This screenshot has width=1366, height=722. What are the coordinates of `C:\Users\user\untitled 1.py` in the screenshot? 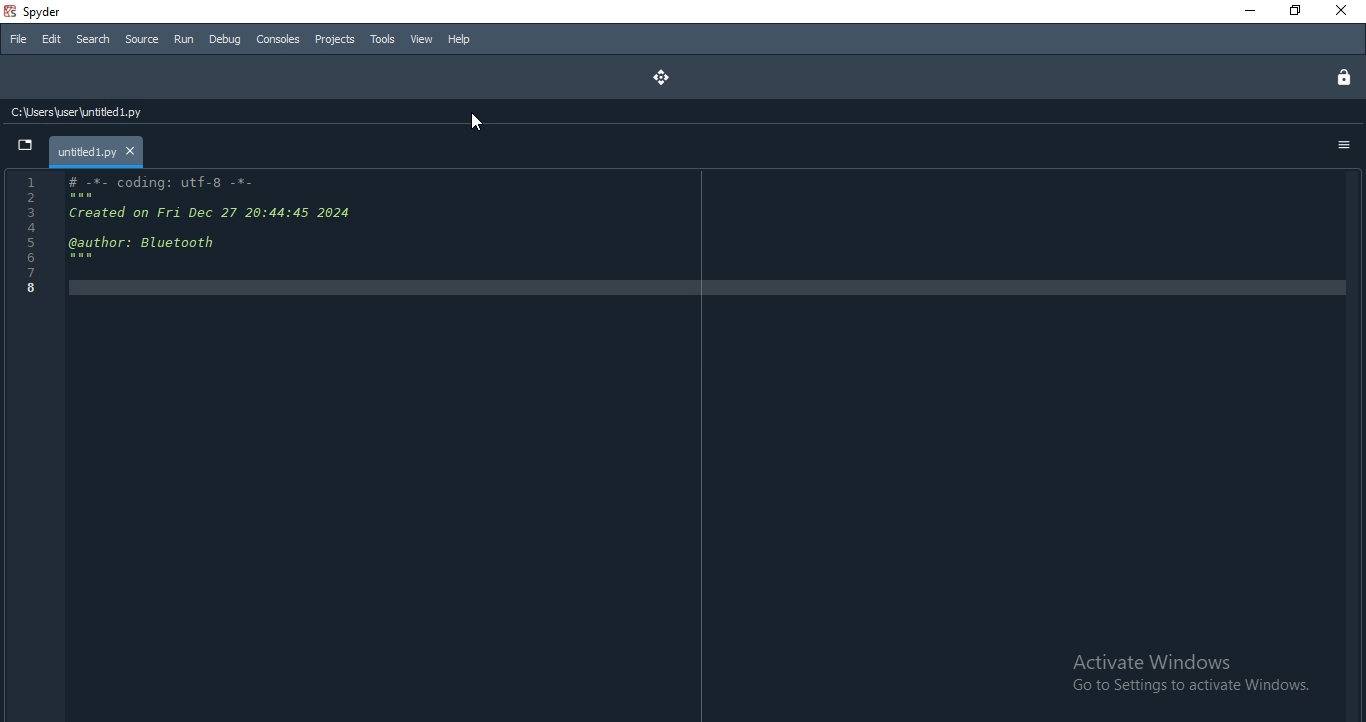 It's located at (104, 114).